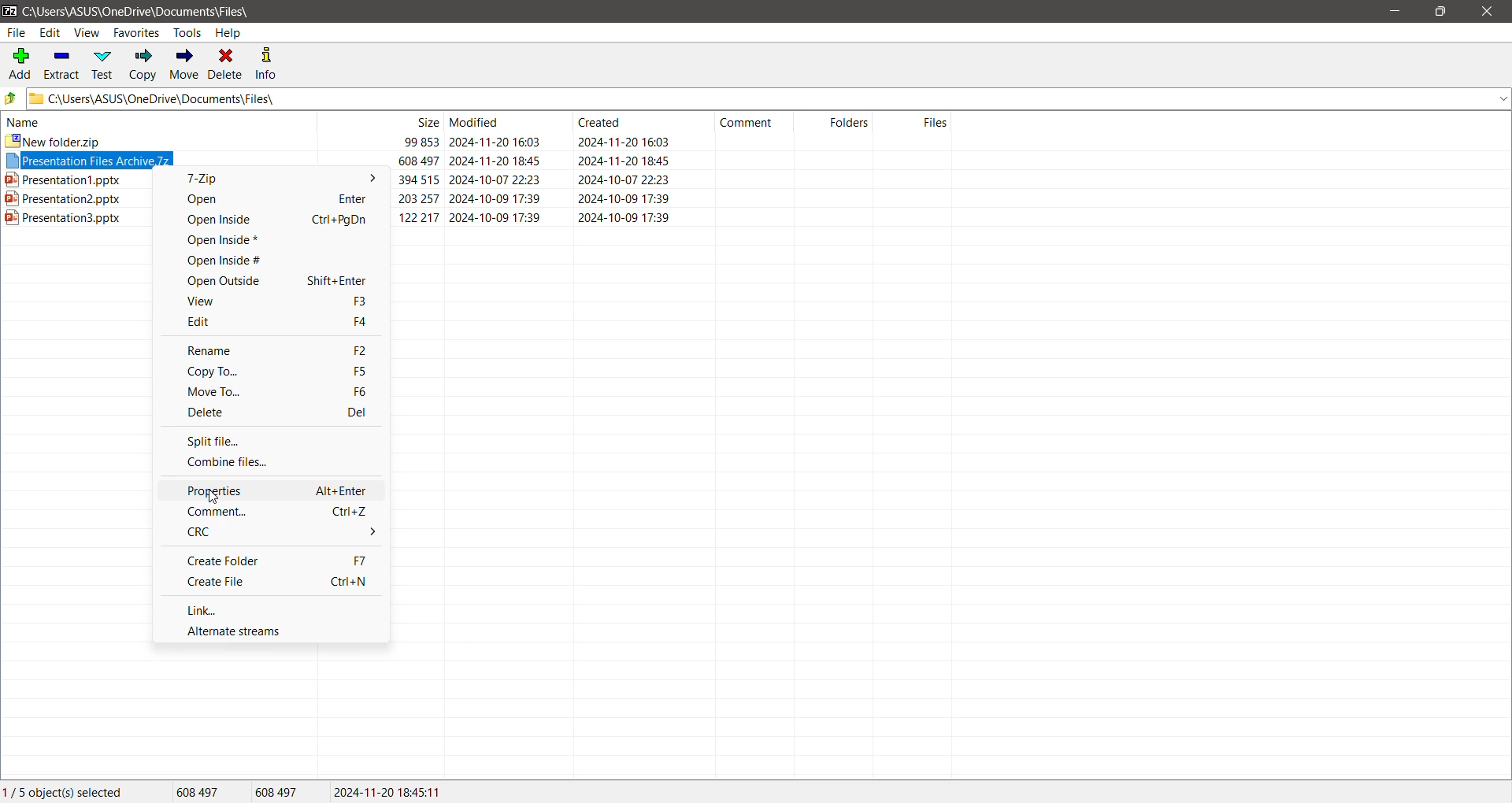  What do you see at coordinates (141, 65) in the screenshot?
I see `Copy` at bounding box center [141, 65].